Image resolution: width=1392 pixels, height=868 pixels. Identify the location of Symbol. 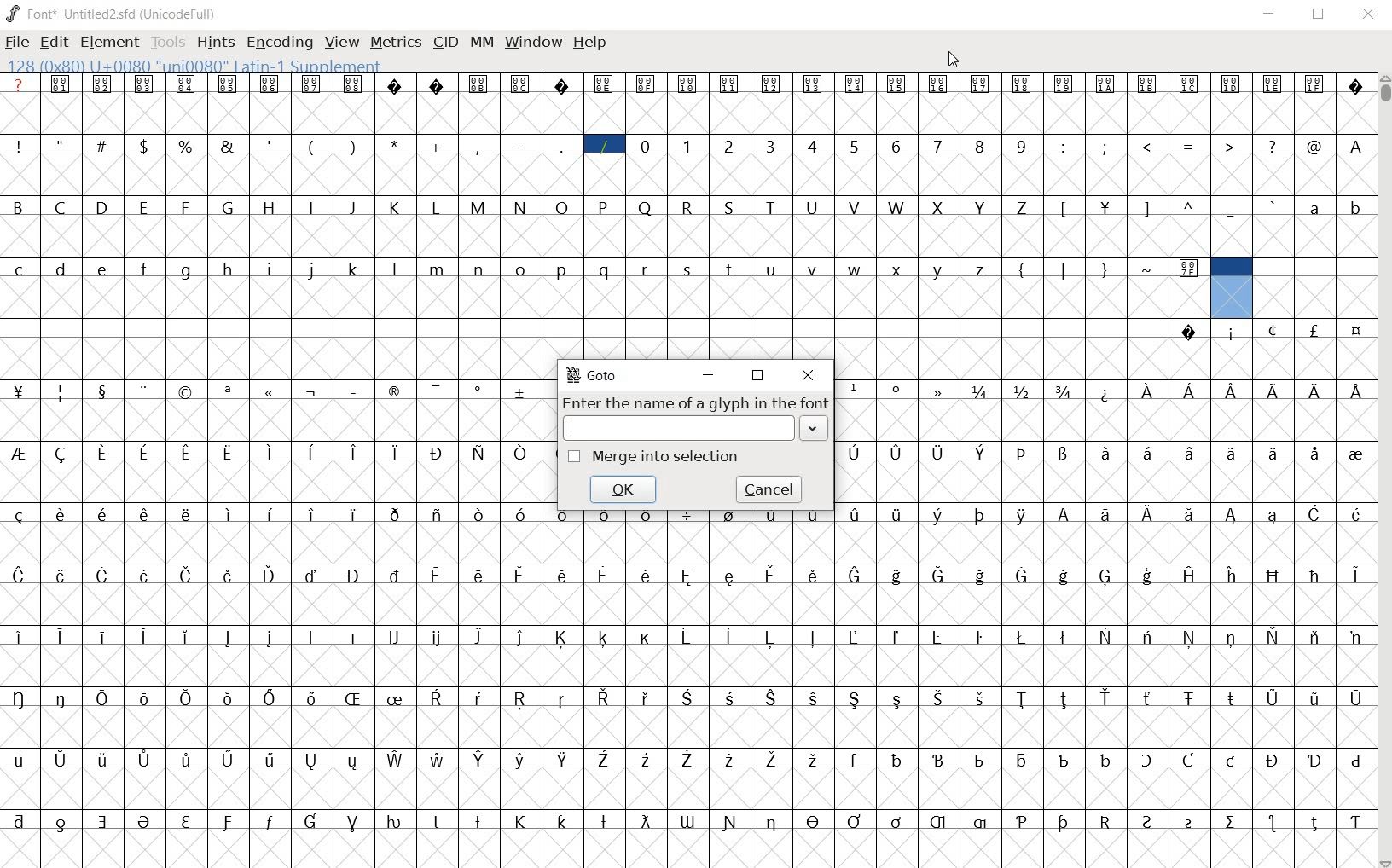
(773, 697).